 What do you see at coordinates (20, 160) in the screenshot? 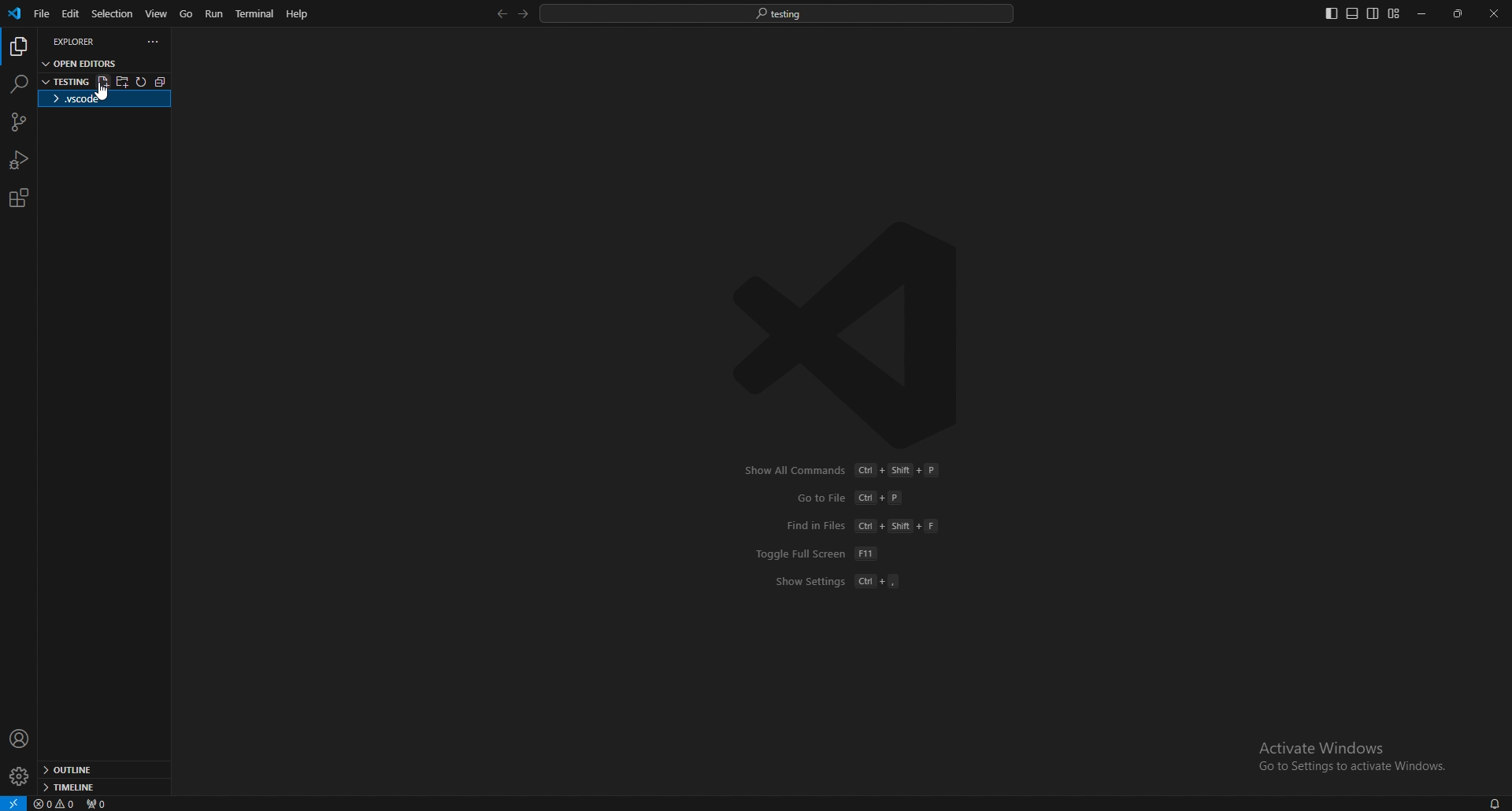
I see `run and debug` at bounding box center [20, 160].